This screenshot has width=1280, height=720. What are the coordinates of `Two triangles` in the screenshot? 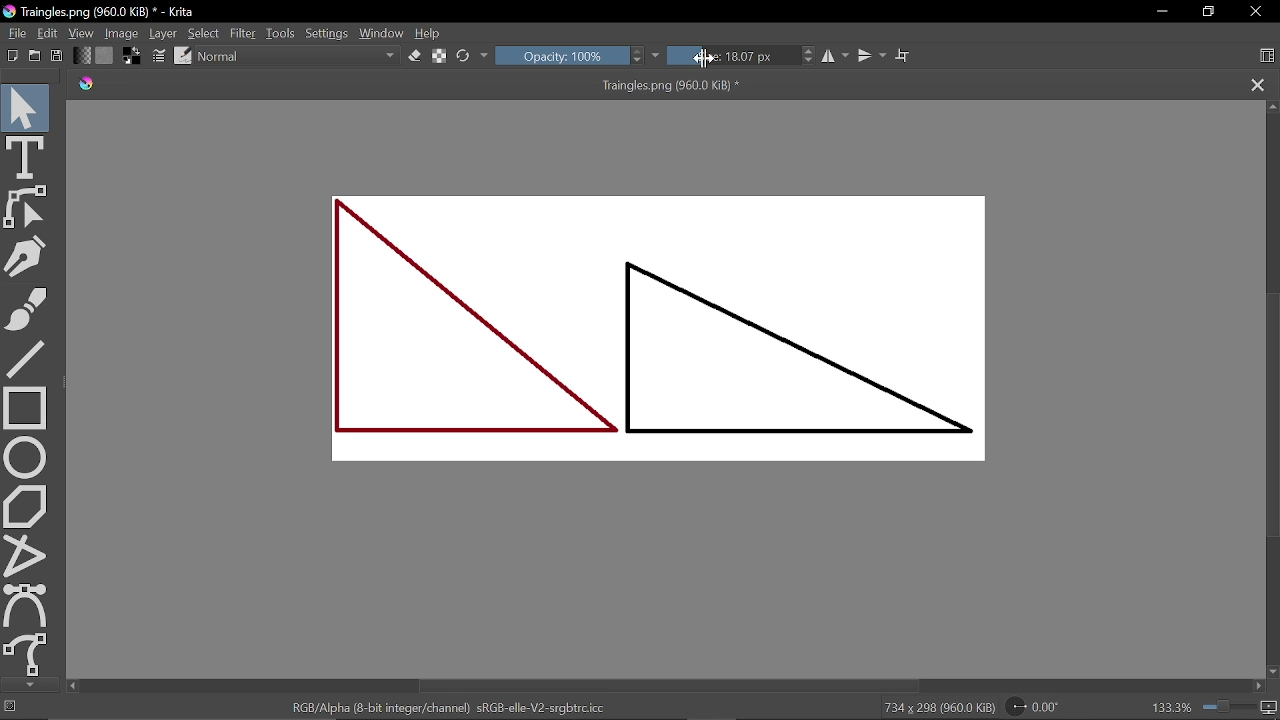 It's located at (675, 337).